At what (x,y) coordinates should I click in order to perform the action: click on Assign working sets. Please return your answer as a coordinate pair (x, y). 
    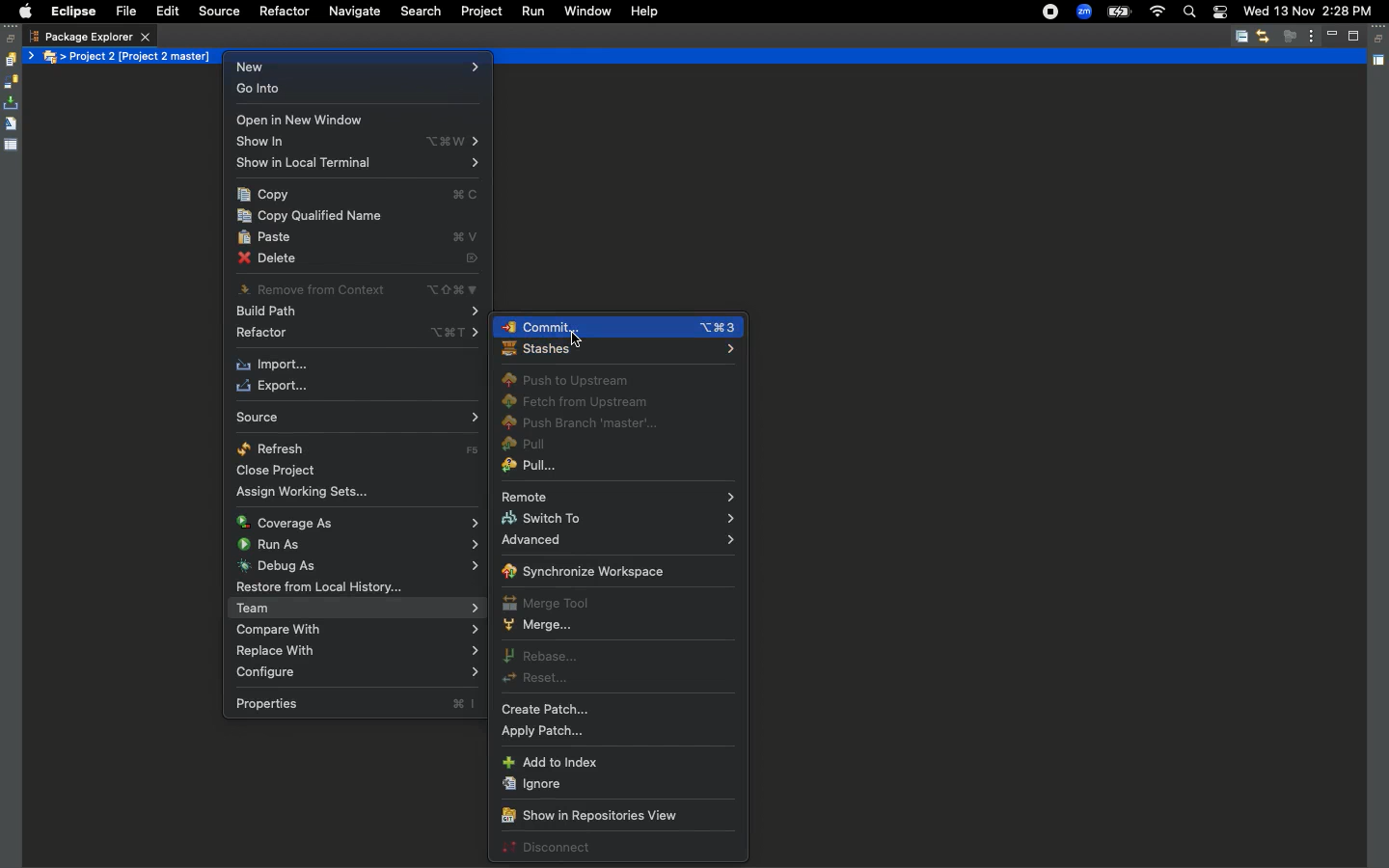
    Looking at the image, I should click on (308, 493).